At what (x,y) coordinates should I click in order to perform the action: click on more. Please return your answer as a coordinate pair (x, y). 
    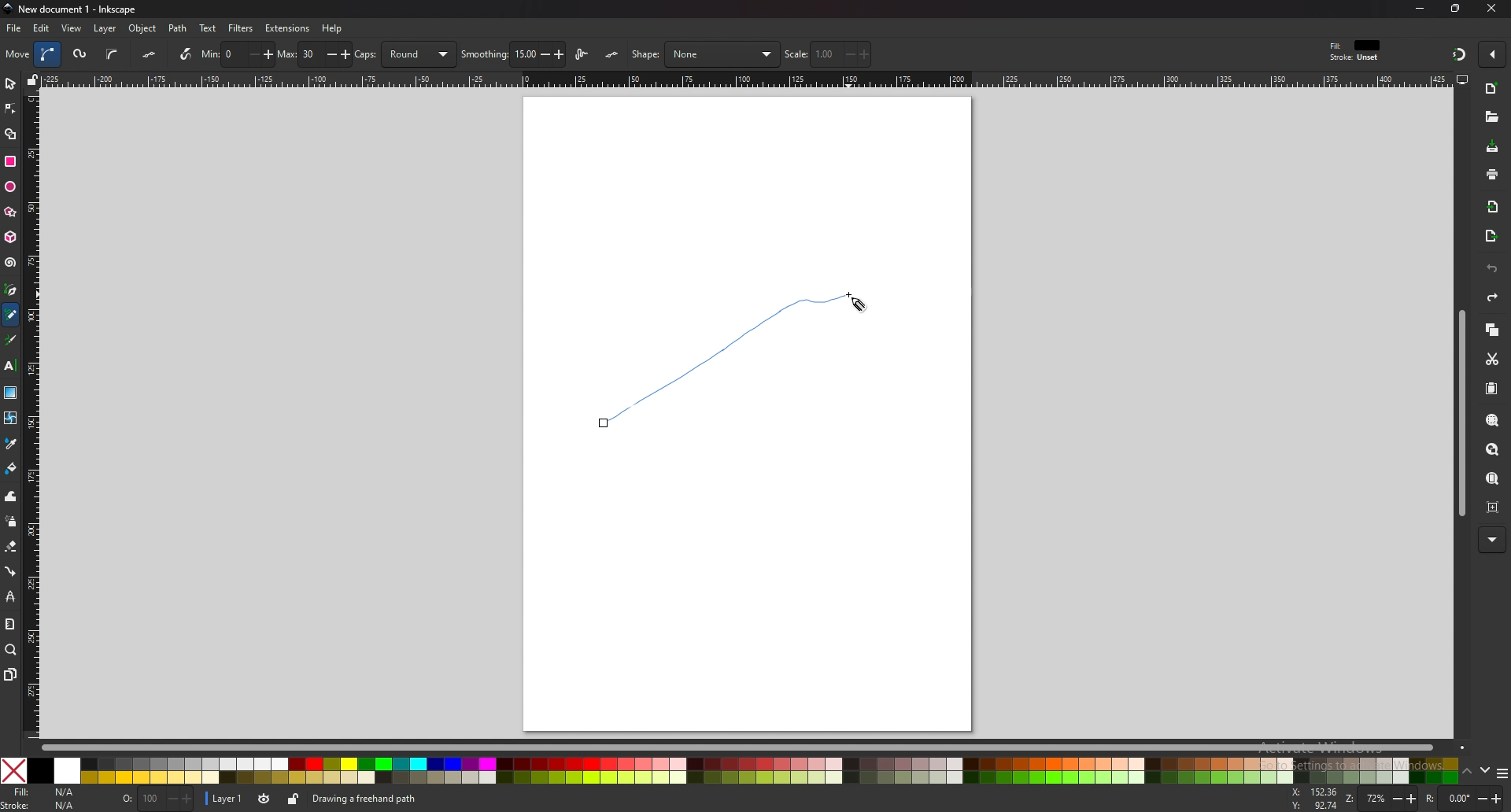
    Looking at the image, I should click on (1492, 540).